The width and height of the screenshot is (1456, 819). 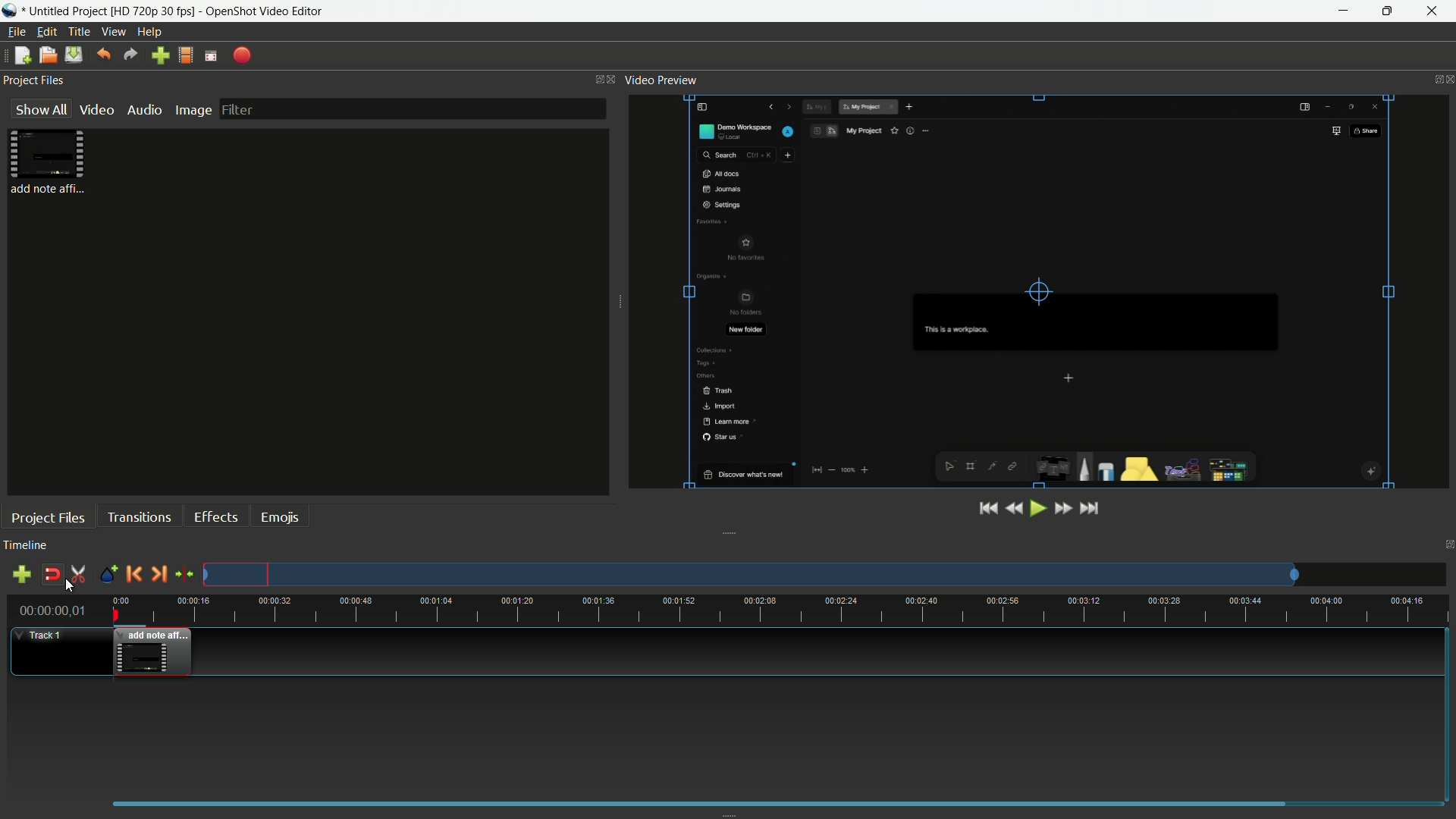 What do you see at coordinates (107, 575) in the screenshot?
I see `create marker` at bounding box center [107, 575].